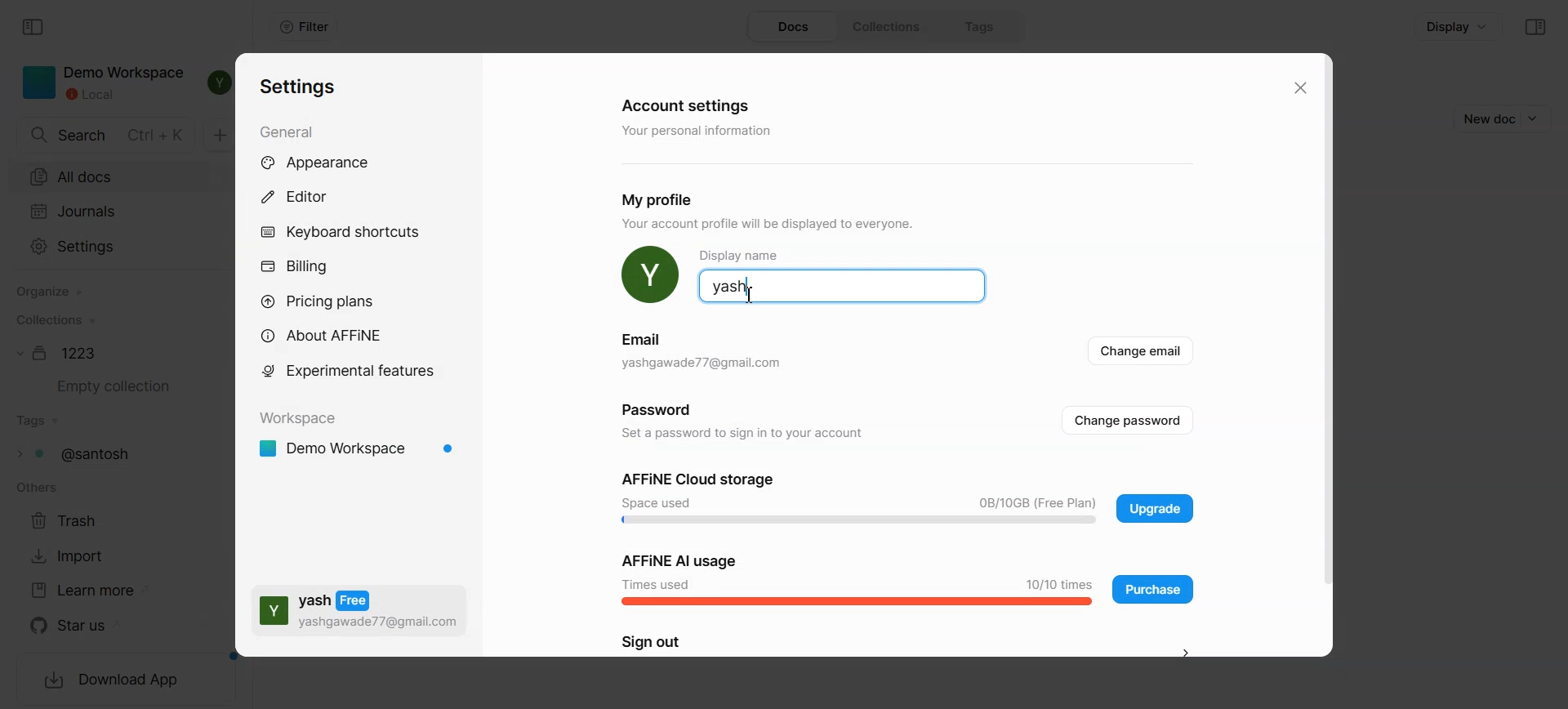  Describe the element at coordinates (751, 295) in the screenshot. I see `Text cursor` at that location.